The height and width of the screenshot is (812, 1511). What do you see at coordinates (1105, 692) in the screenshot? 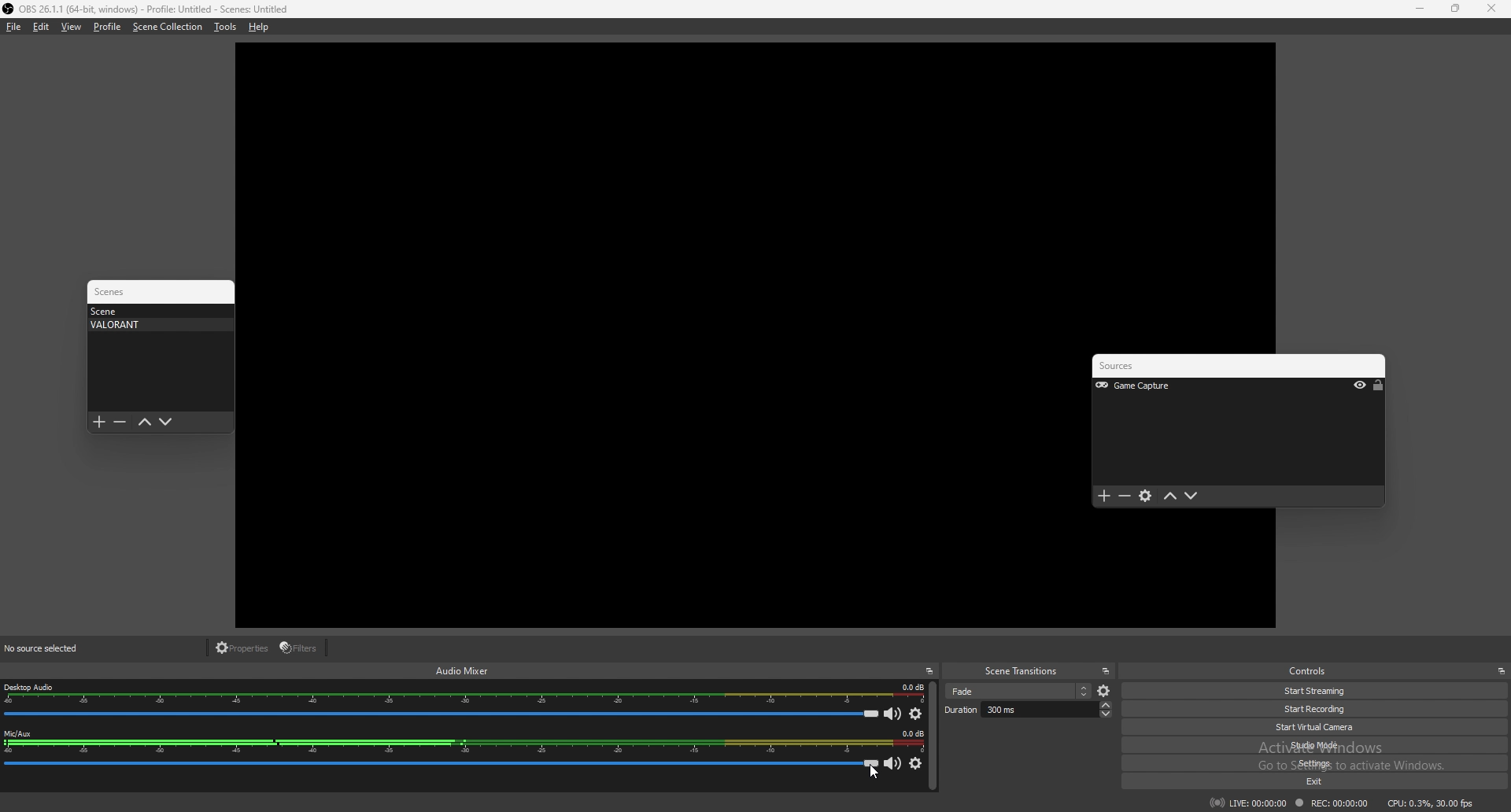
I see `scene settings` at bounding box center [1105, 692].